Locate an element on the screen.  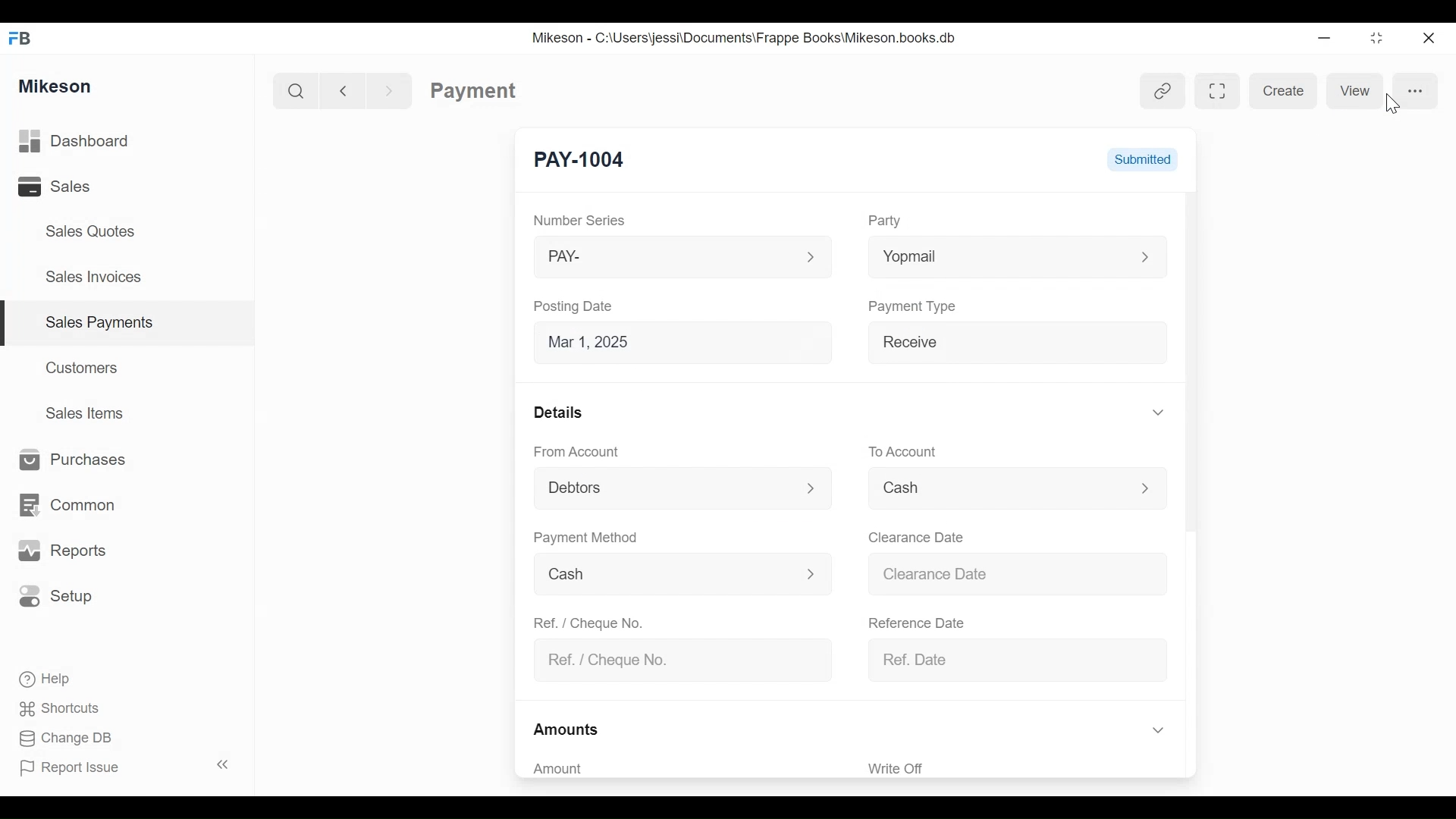
Yopmal is located at coordinates (1019, 256).